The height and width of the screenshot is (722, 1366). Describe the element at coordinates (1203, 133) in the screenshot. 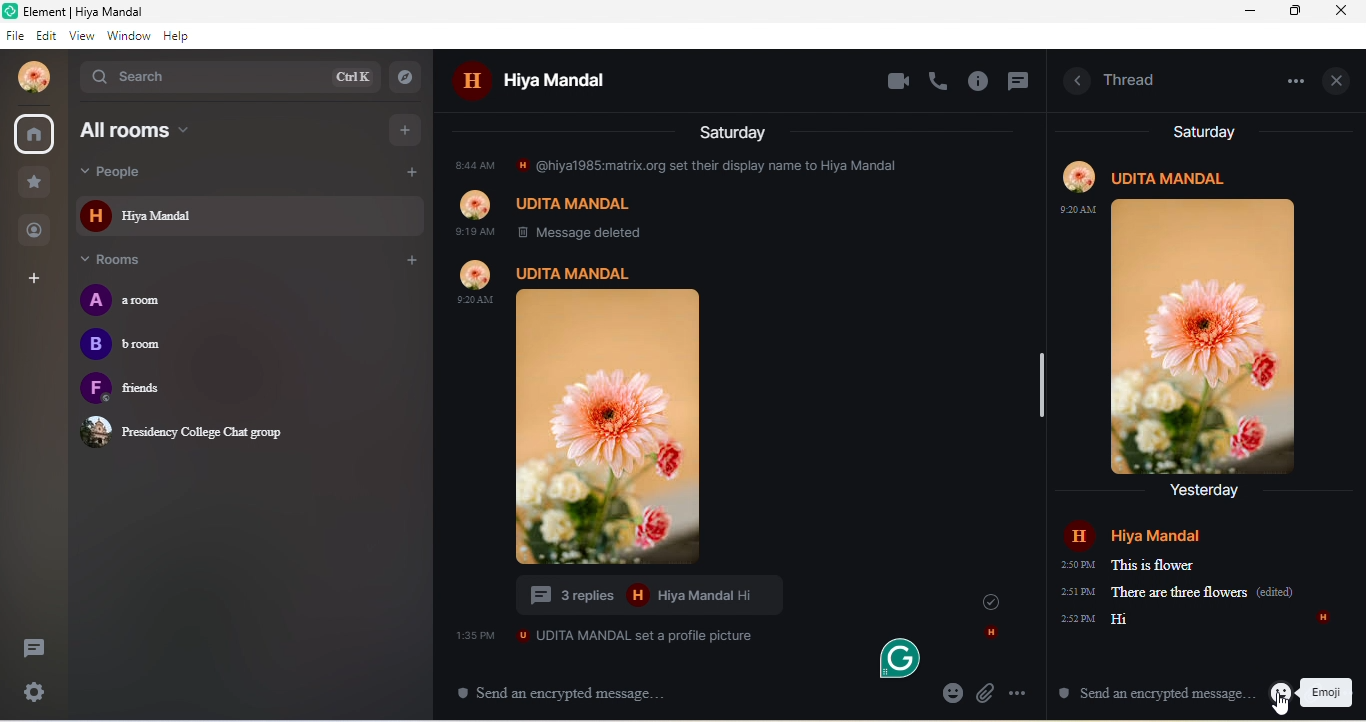

I see `Saturday` at that location.